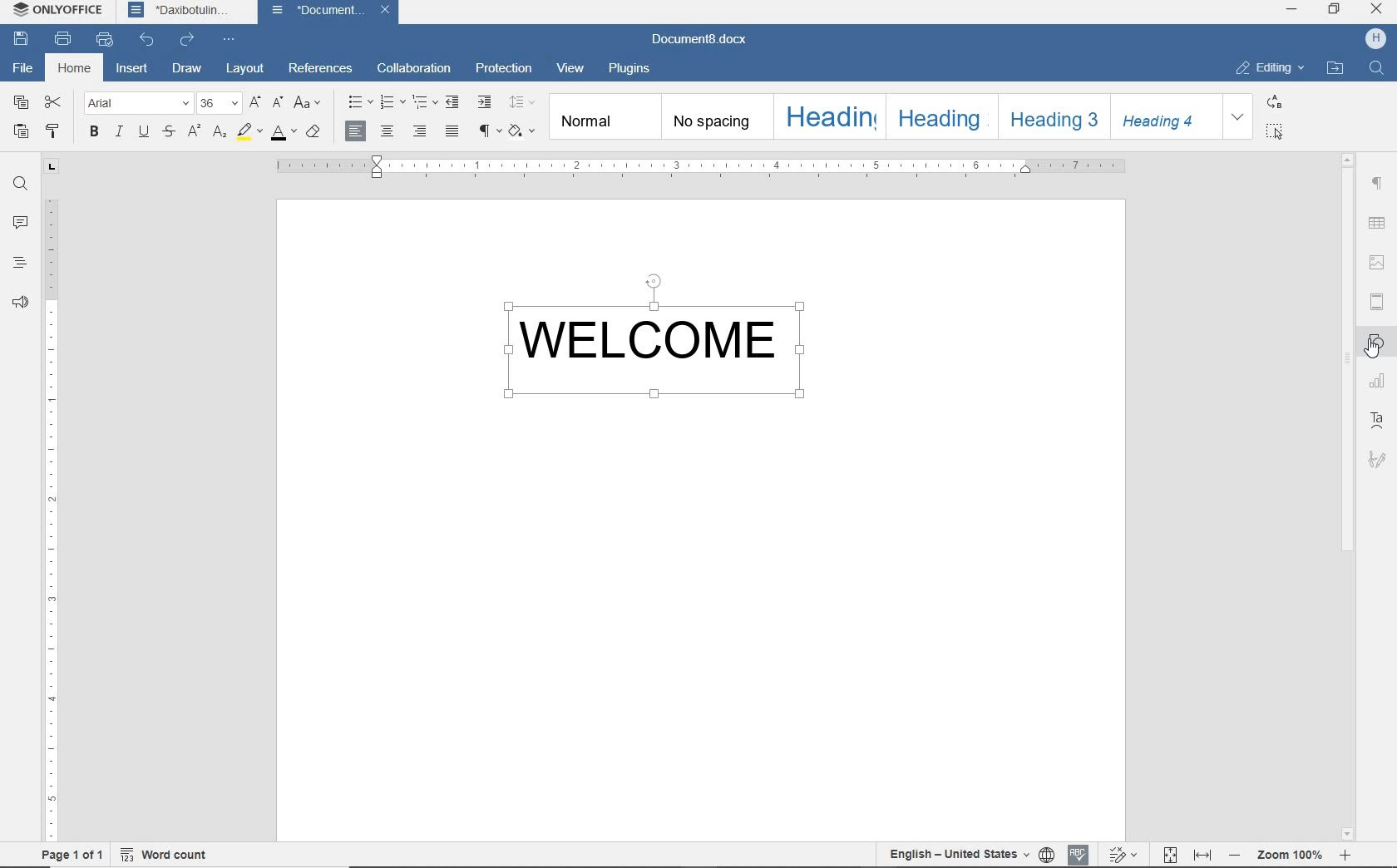 Image resolution: width=1397 pixels, height=868 pixels. What do you see at coordinates (720, 116) in the screenshot?
I see `NO SPACING` at bounding box center [720, 116].